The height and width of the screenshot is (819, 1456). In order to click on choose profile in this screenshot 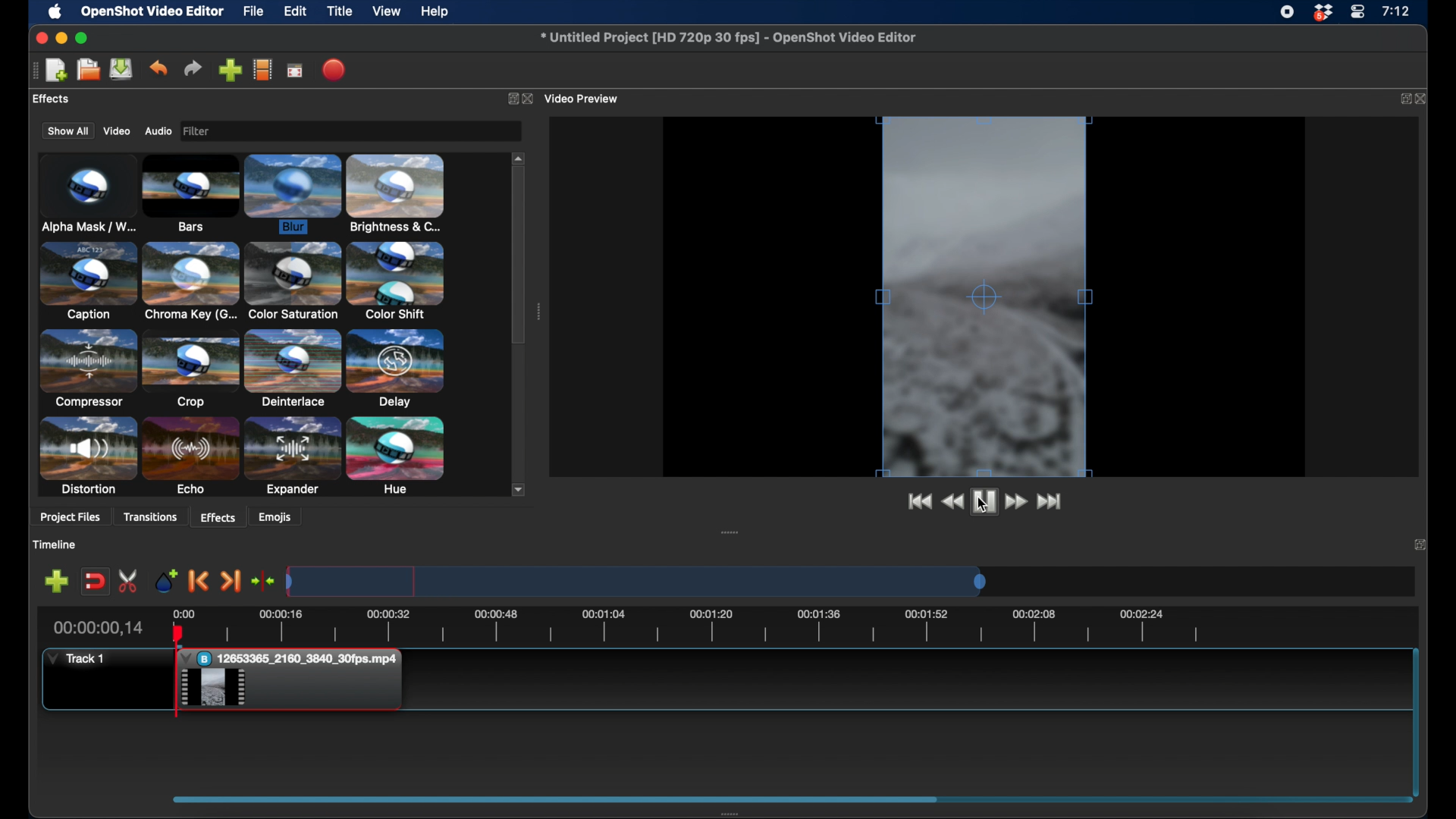, I will do `click(263, 69)`.